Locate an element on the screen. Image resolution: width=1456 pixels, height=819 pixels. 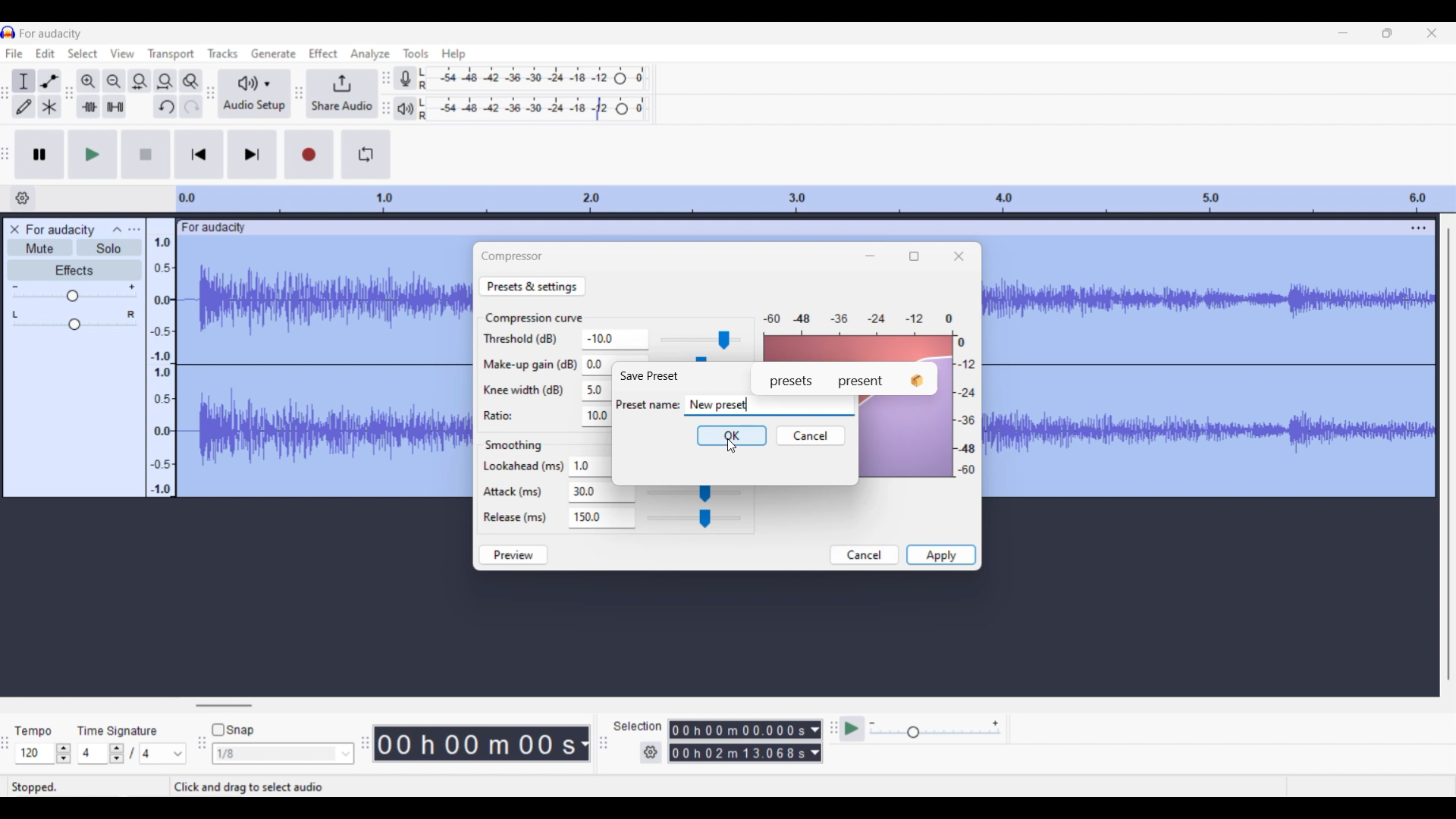
Text box for Knee width is located at coordinates (596, 391).